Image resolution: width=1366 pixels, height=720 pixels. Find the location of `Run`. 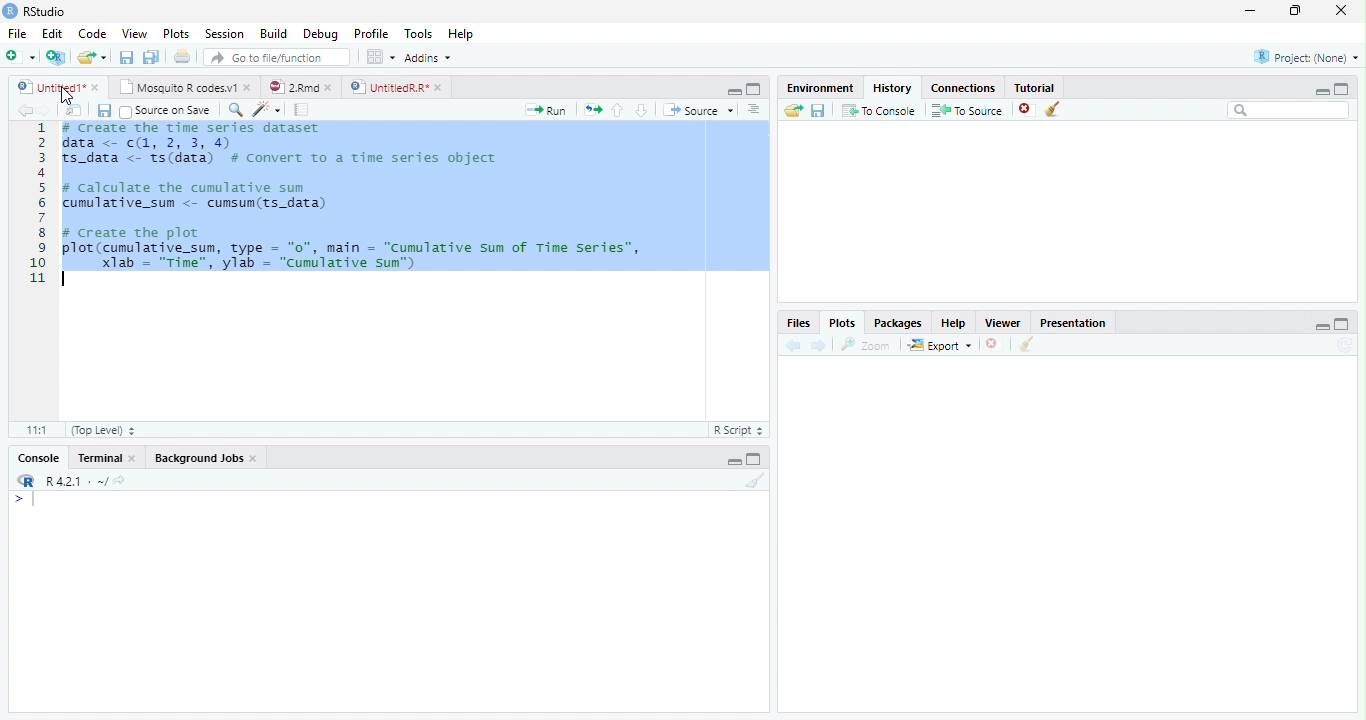

Run is located at coordinates (543, 111).